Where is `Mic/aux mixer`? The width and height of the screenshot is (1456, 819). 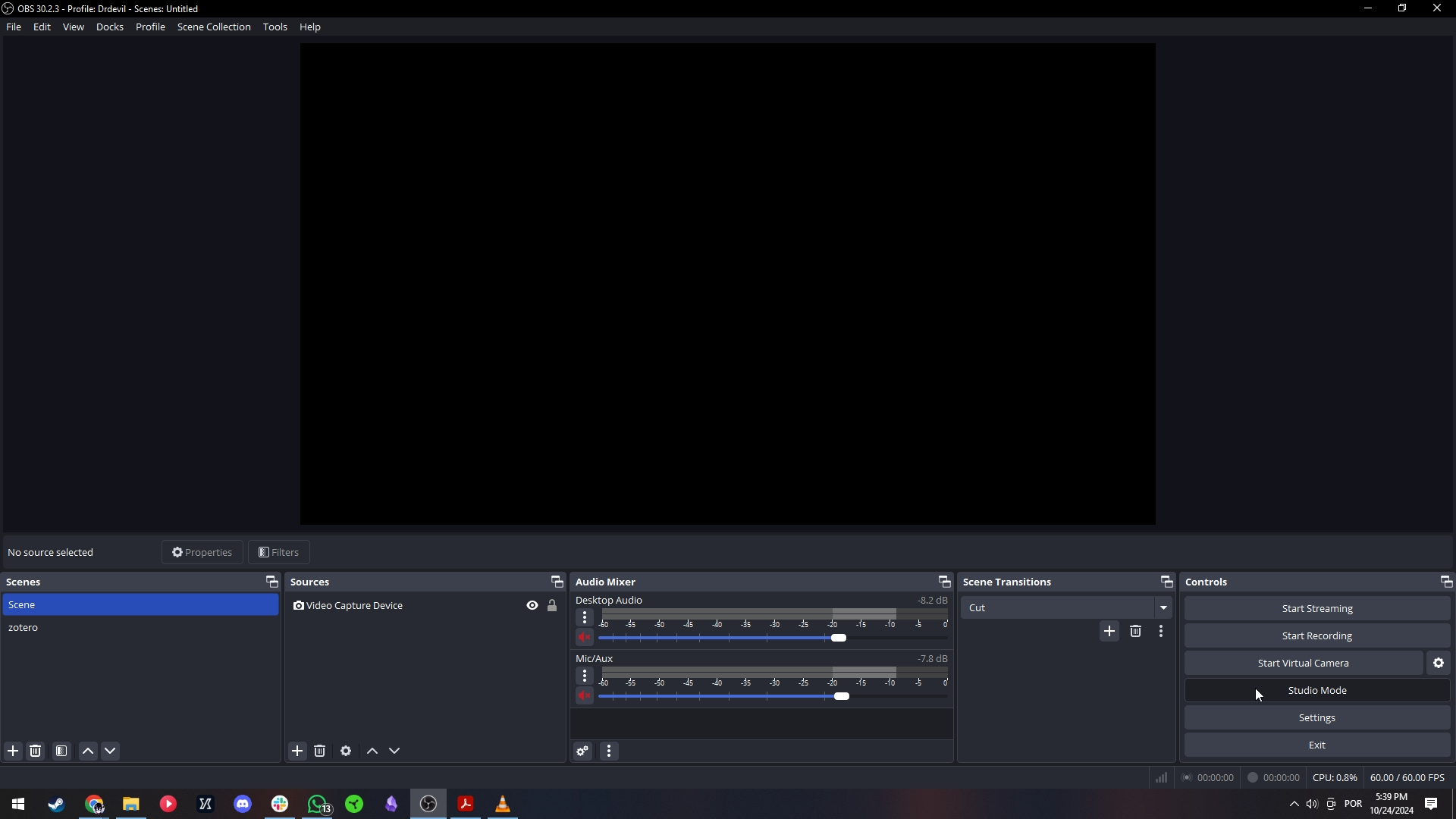 Mic/aux mixer is located at coordinates (761, 679).